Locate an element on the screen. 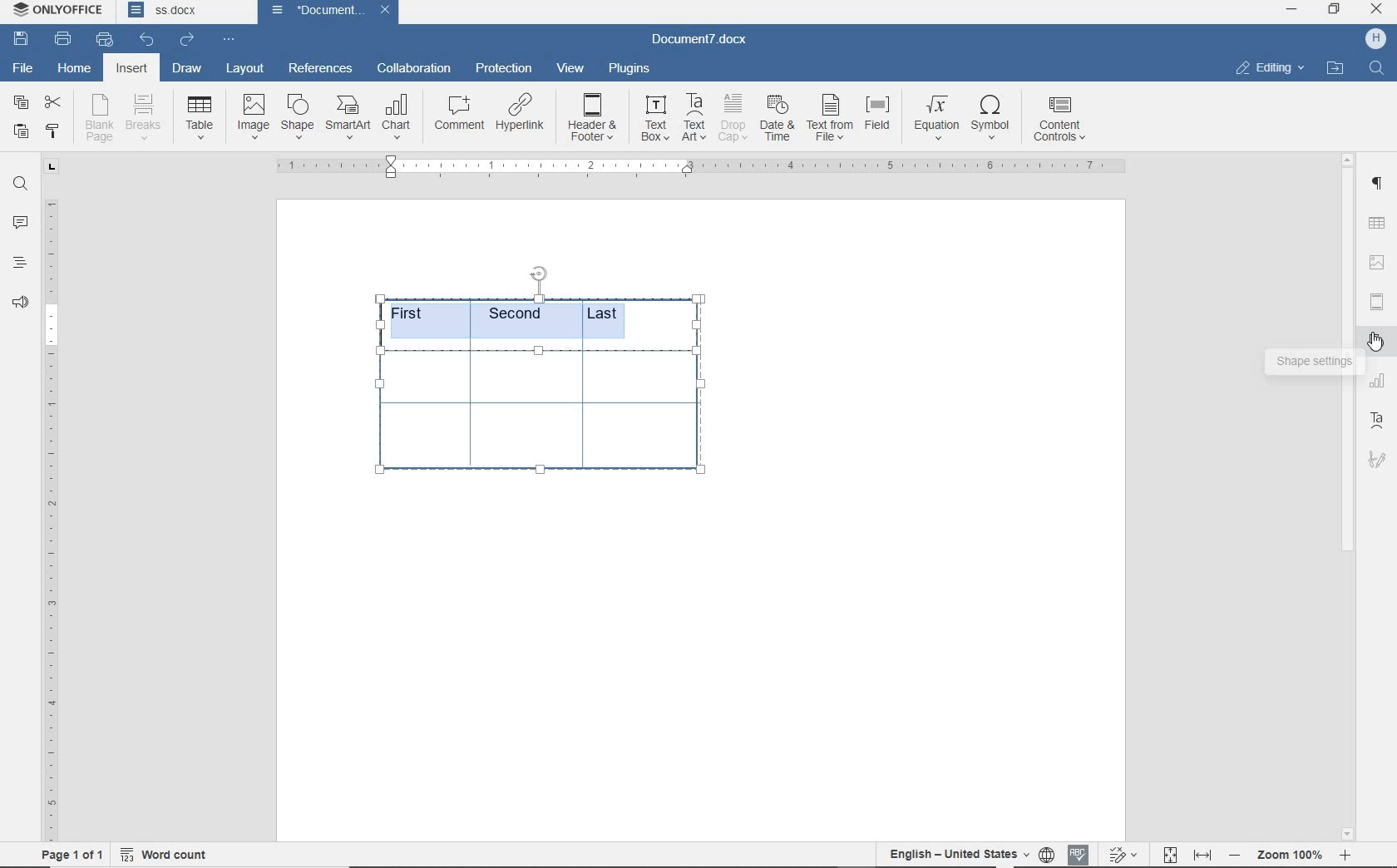 Image resolution: width=1397 pixels, height=868 pixels. shape is located at coordinates (298, 116).